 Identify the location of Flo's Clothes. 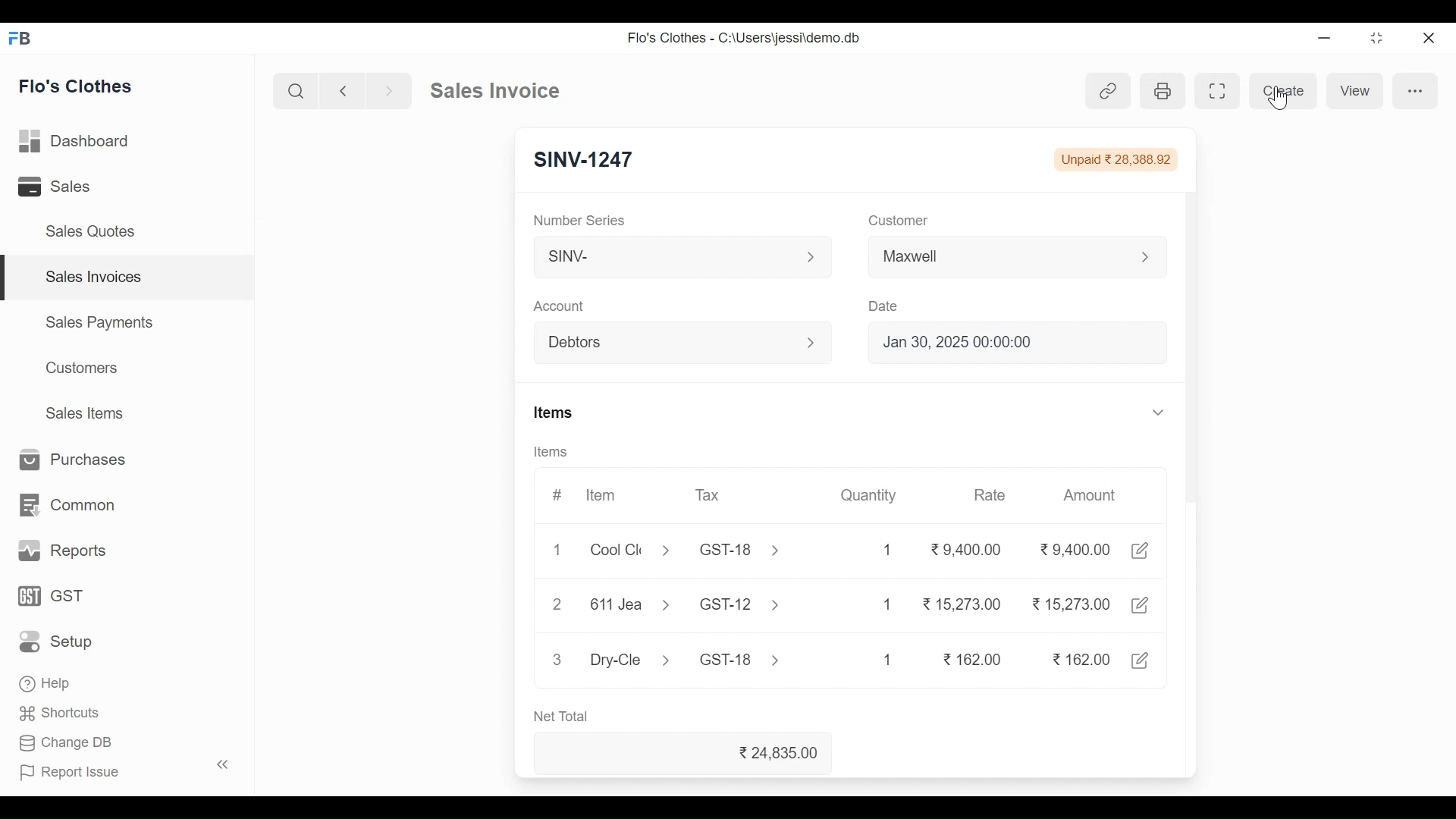
(77, 86).